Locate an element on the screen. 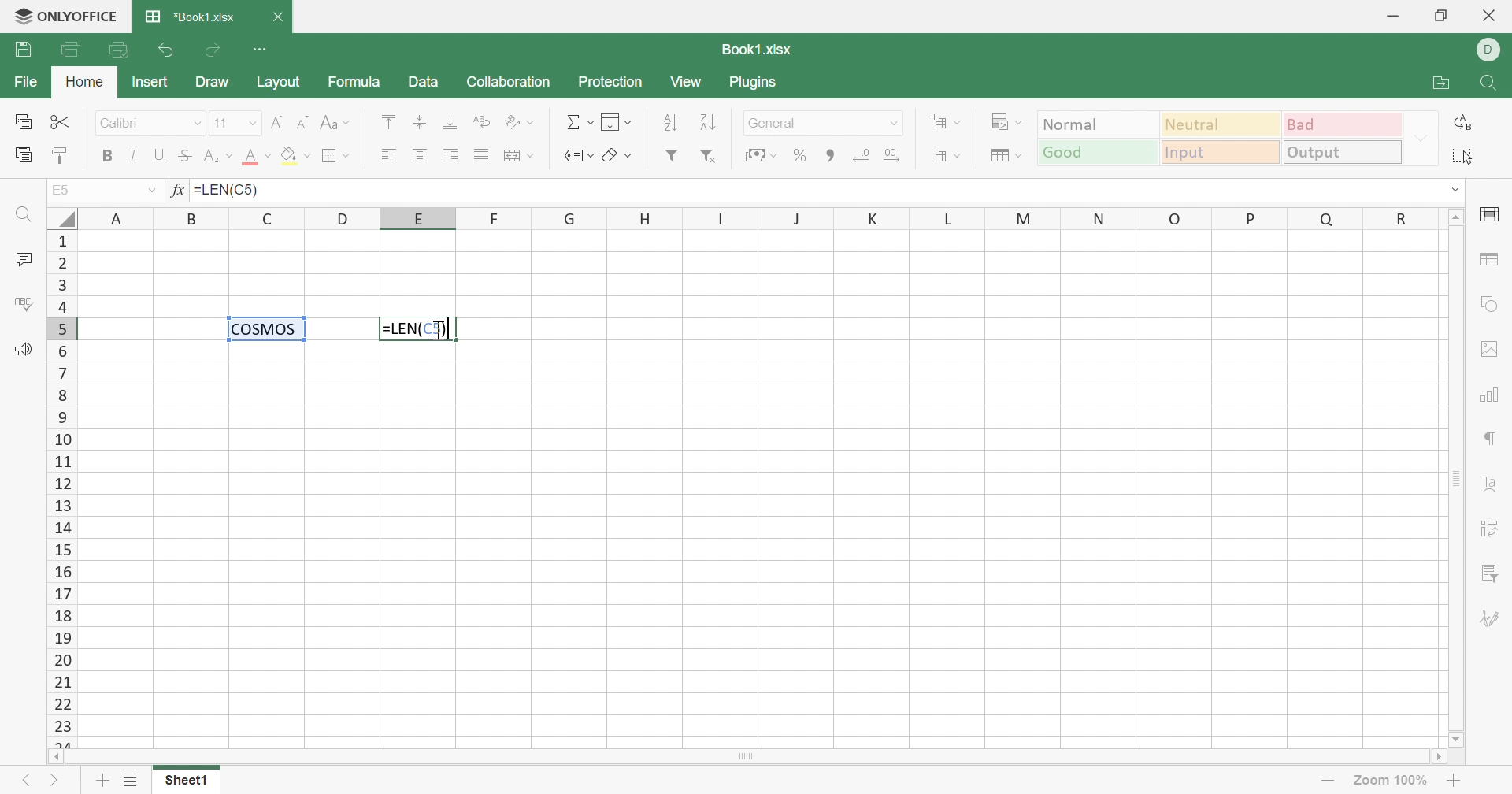  Zoom in is located at coordinates (1456, 781).